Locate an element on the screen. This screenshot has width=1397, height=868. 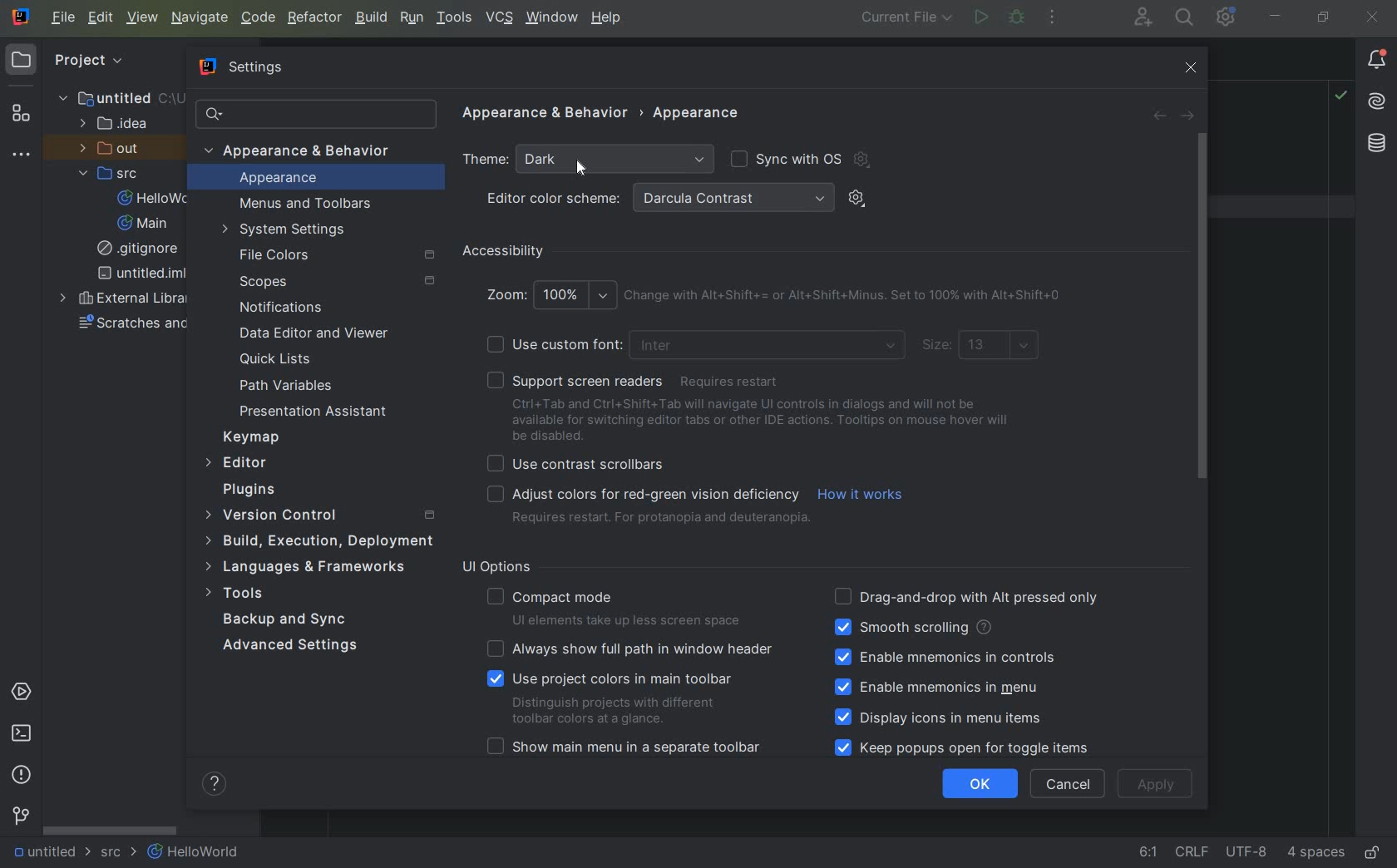
drag-and-drop with ALT pressed only is located at coordinates (967, 595).